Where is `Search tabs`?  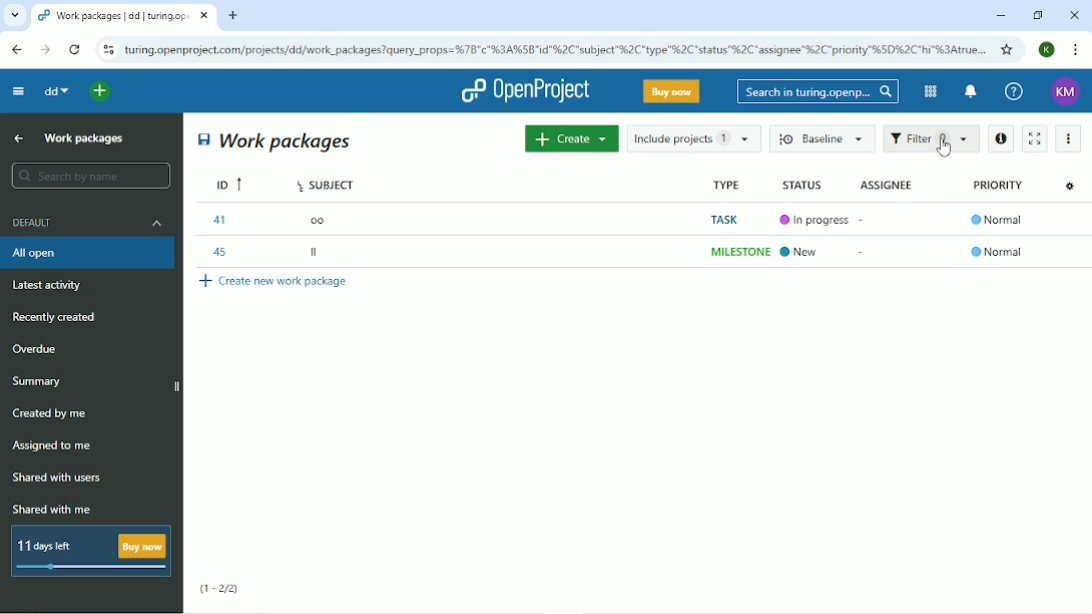 Search tabs is located at coordinates (15, 16).